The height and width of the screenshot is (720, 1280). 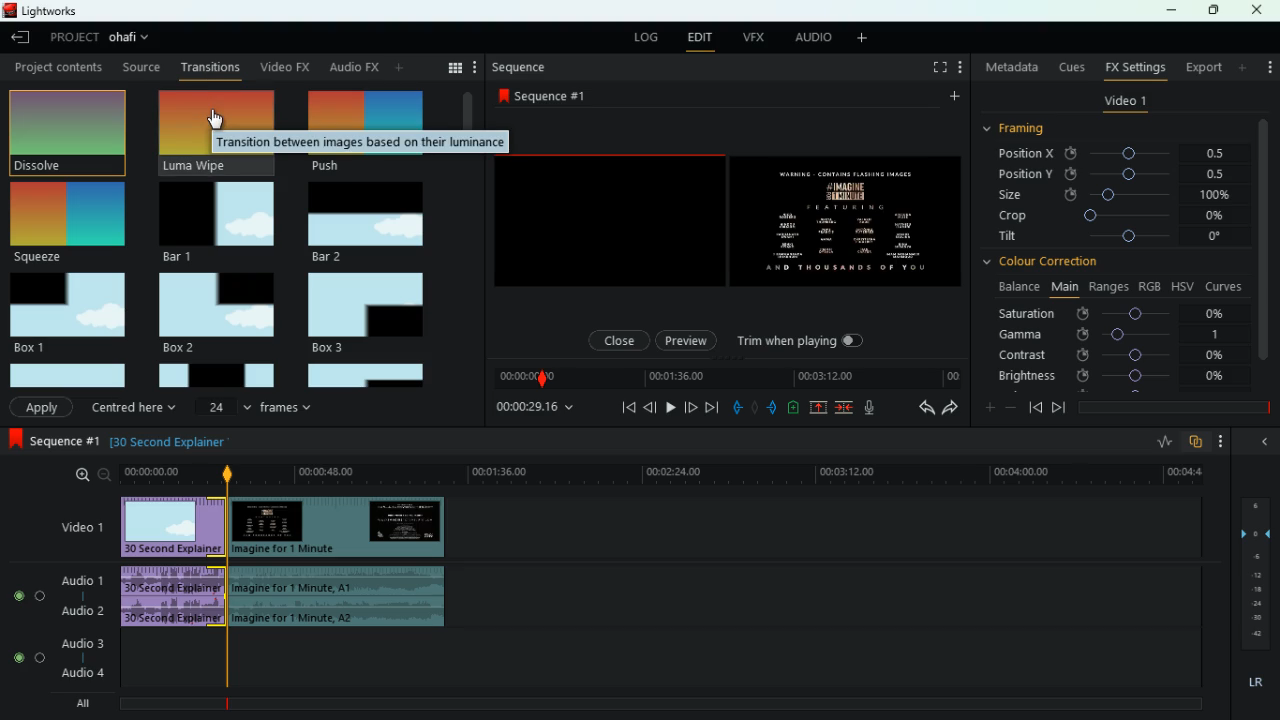 What do you see at coordinates (866, 39) in the screenshot?
I see `more` at bounding box center [866, 39].